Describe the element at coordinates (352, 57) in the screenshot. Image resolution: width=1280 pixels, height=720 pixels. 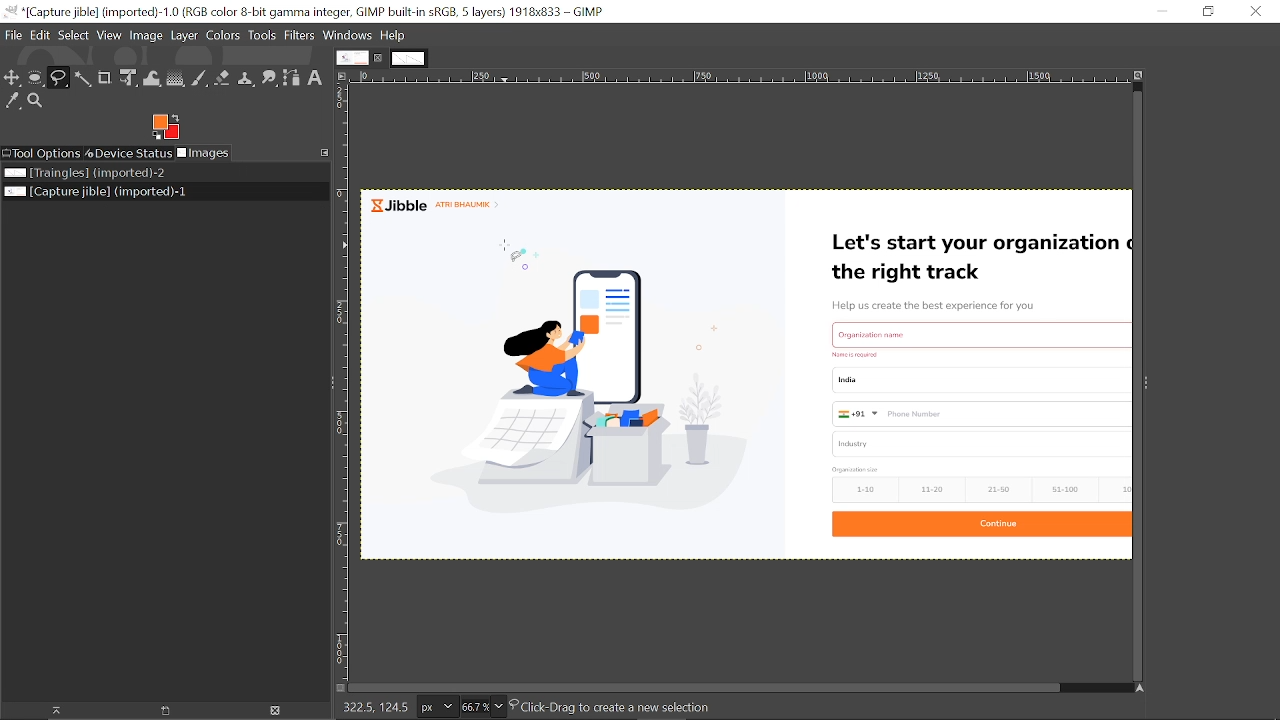
I see `Current tab` at that location.